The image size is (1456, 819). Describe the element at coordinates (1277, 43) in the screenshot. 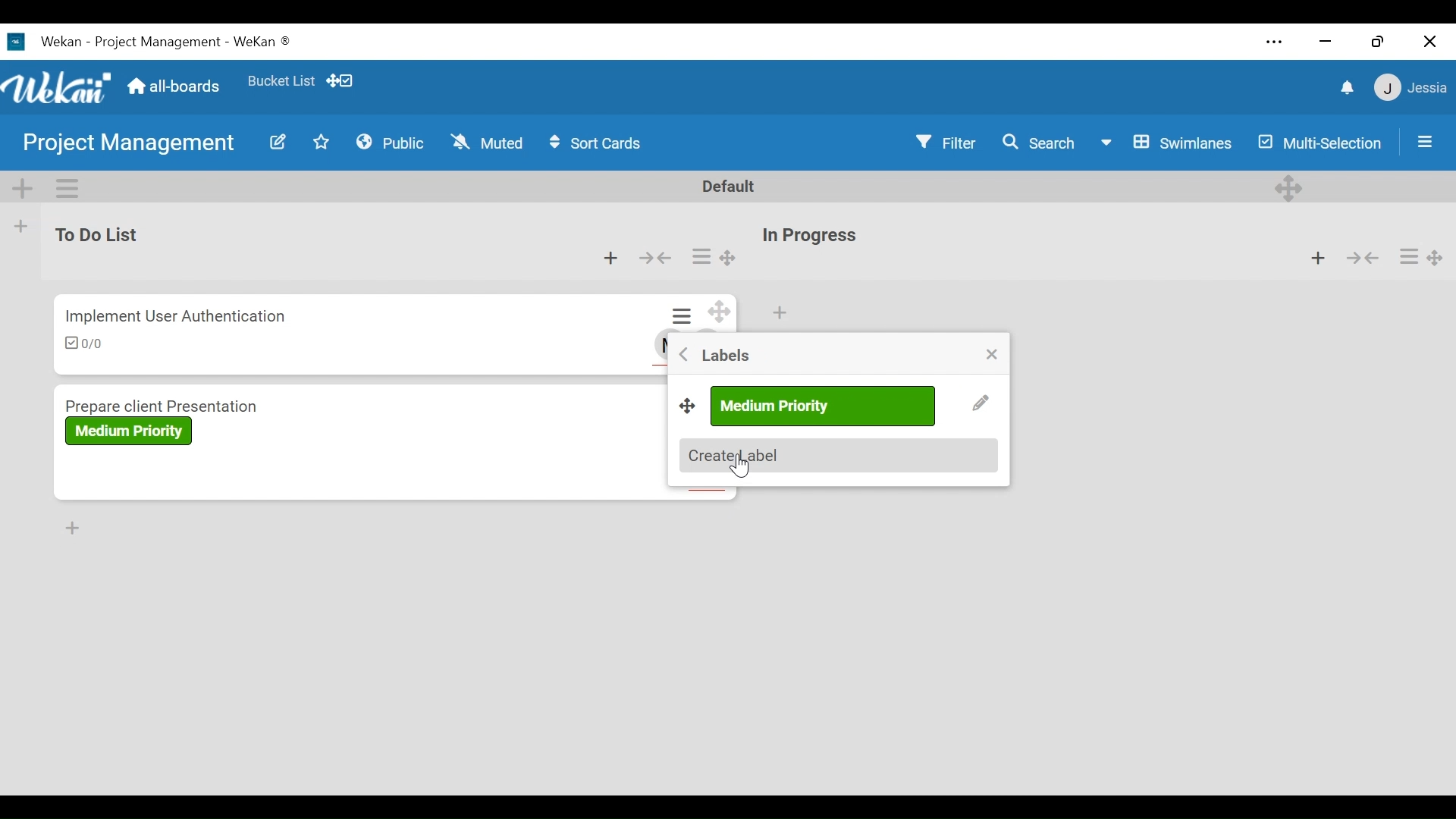

I see `settings and more` at that location.